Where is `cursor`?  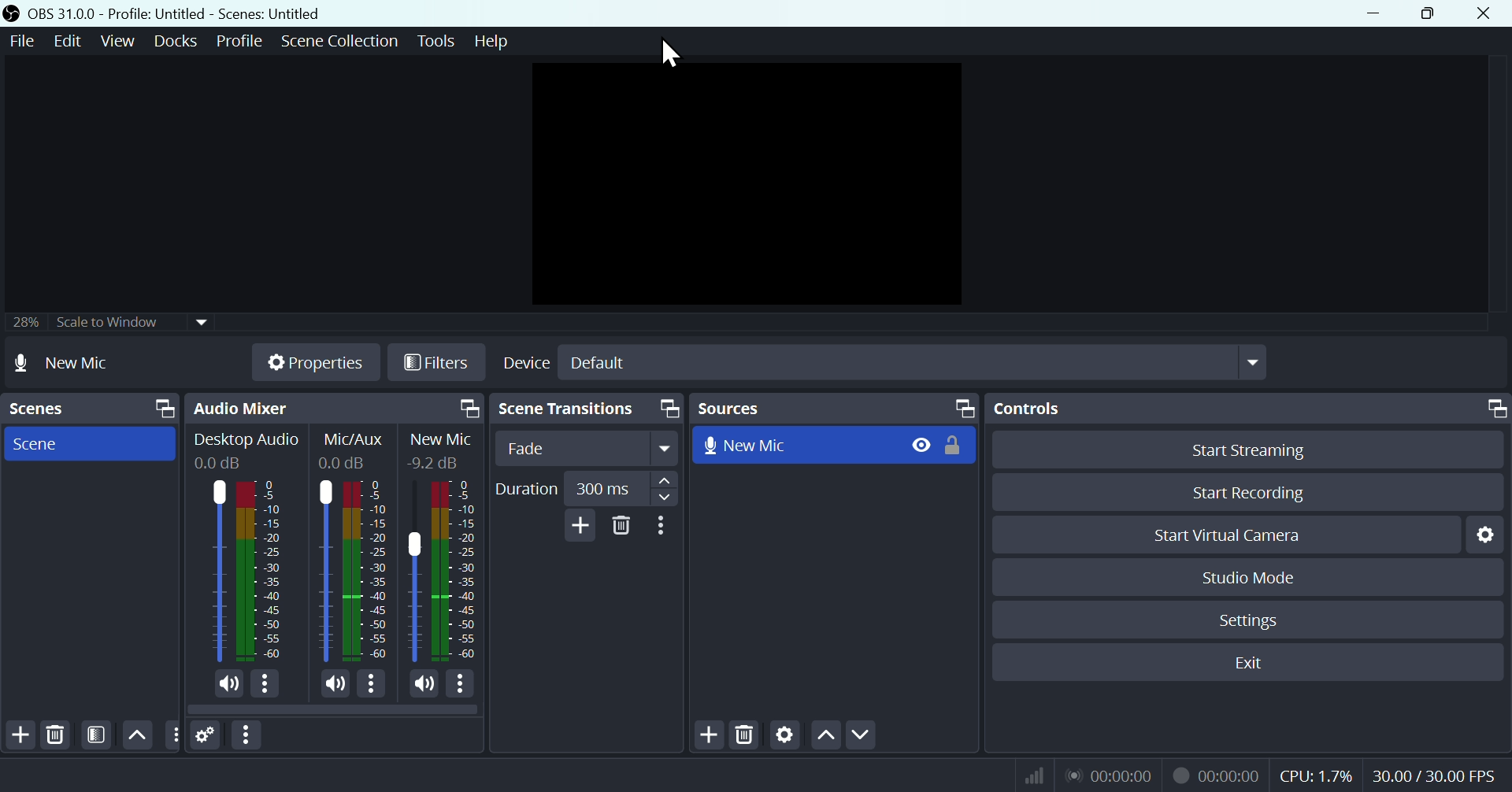
cursor is located at coordinates (666, 54).